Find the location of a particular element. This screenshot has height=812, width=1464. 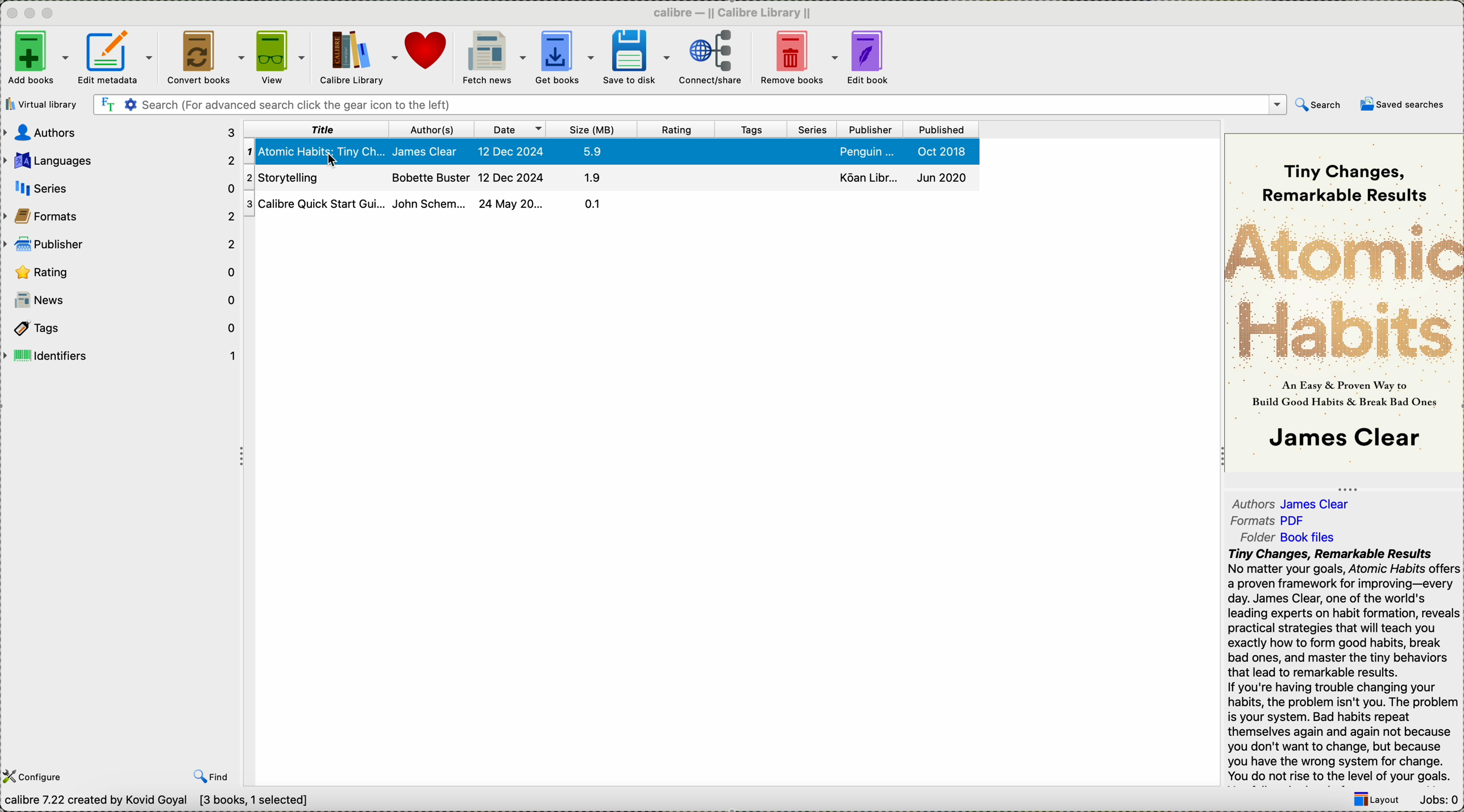

authors is located at coordinates (121, 132).